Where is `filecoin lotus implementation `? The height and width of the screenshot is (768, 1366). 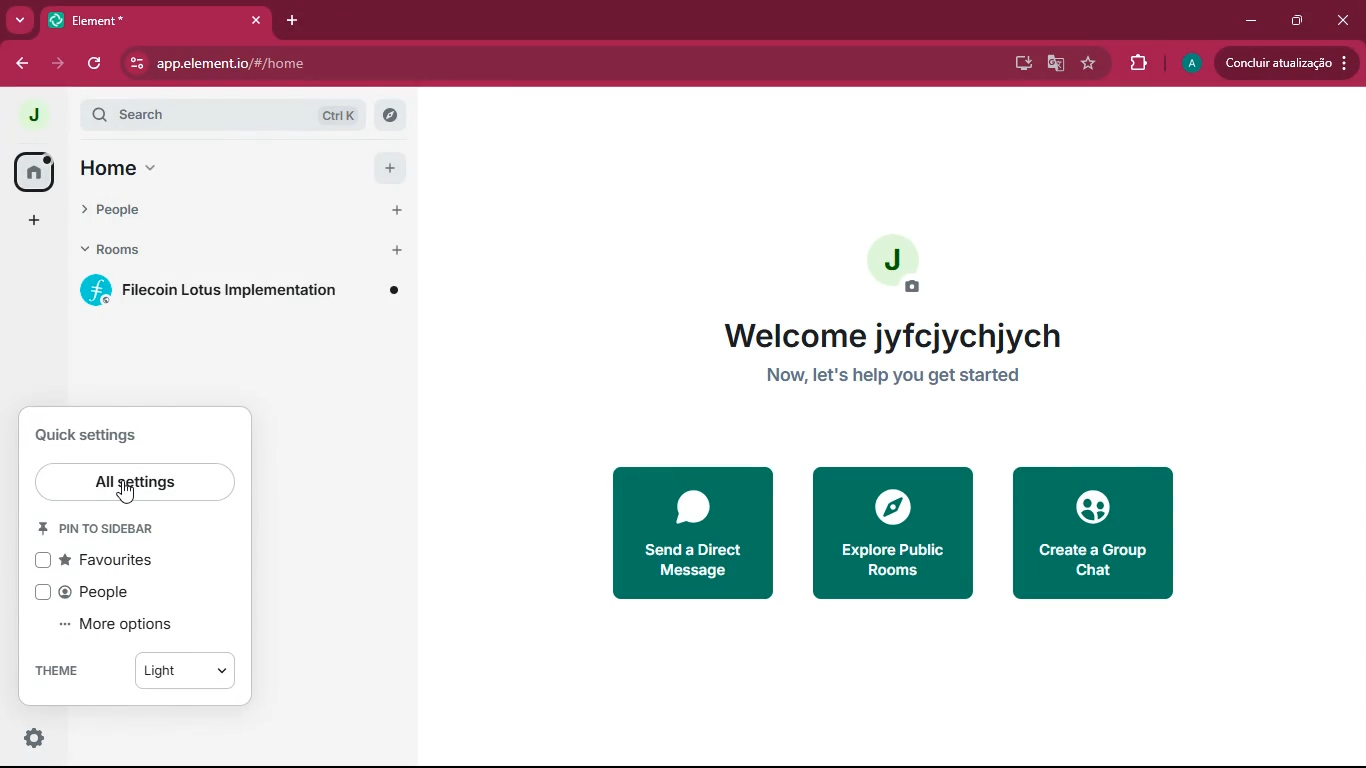
filecoin lotus implementation  is located at coordinates (246, 291).